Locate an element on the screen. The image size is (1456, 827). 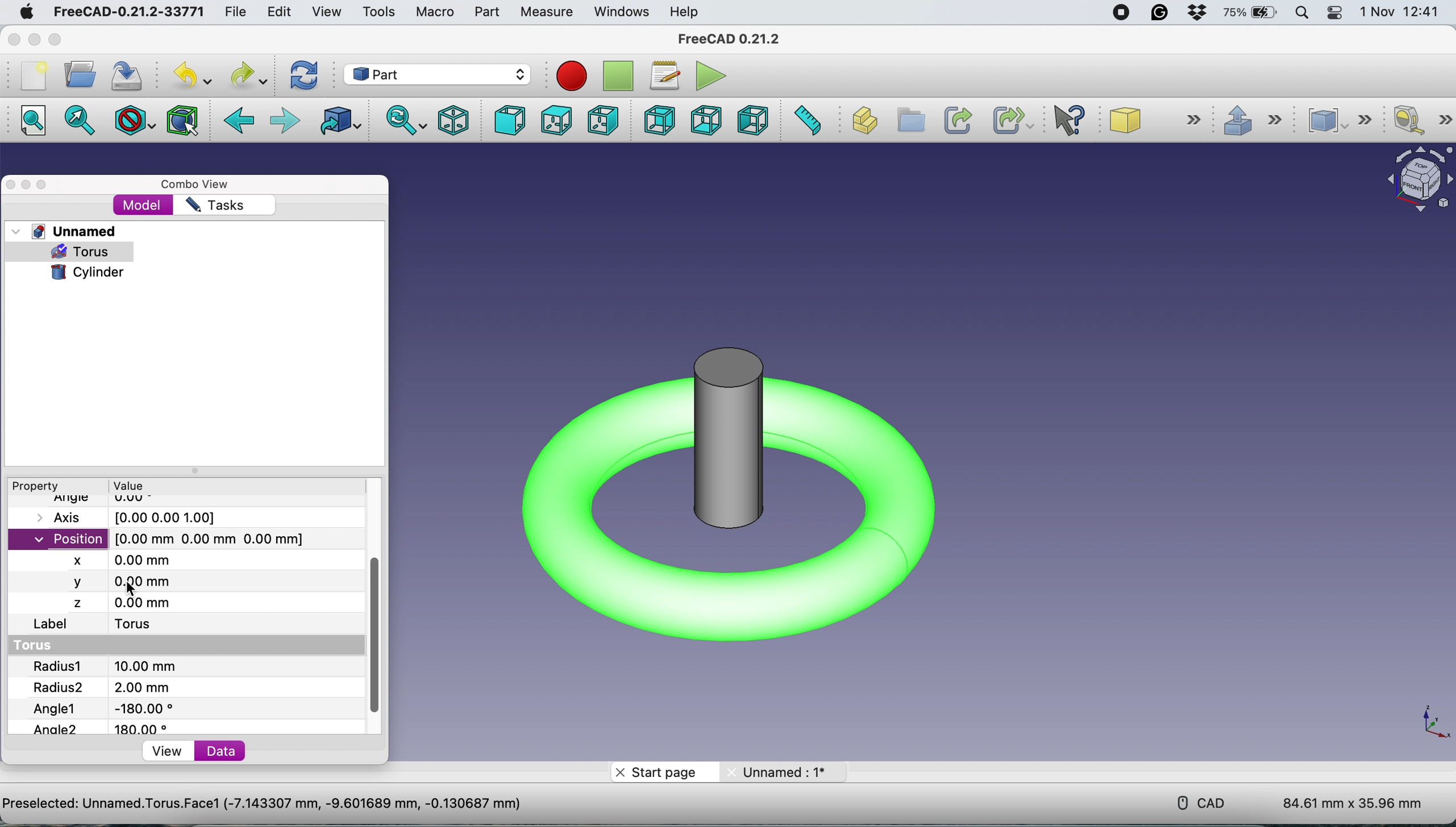
sync view is located at coordinates (406, 122).